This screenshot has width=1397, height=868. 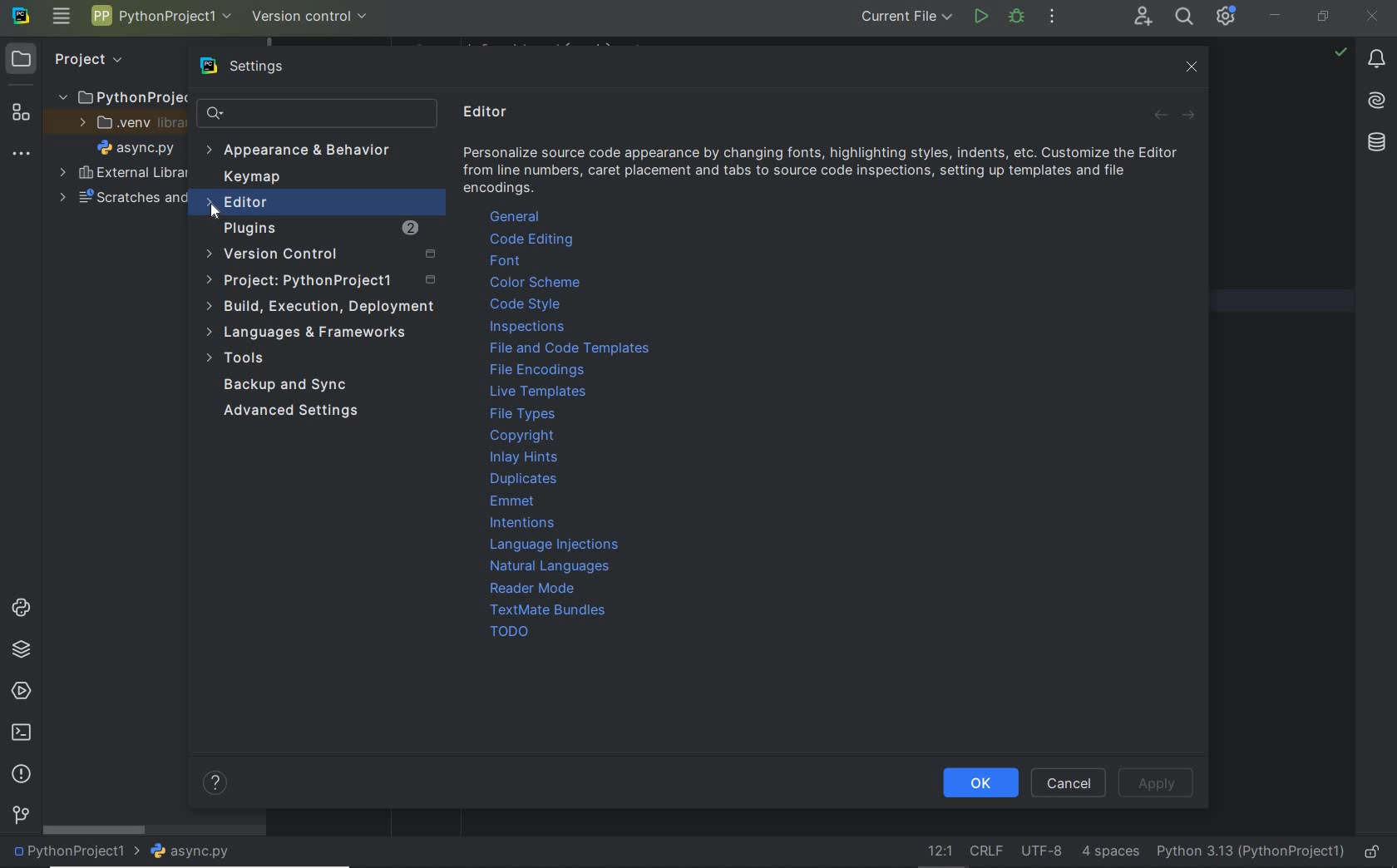 What do you see at coordinates (215, 208) in the screenshot?
I see `Cursor Position` at bounding box center [215, 208].